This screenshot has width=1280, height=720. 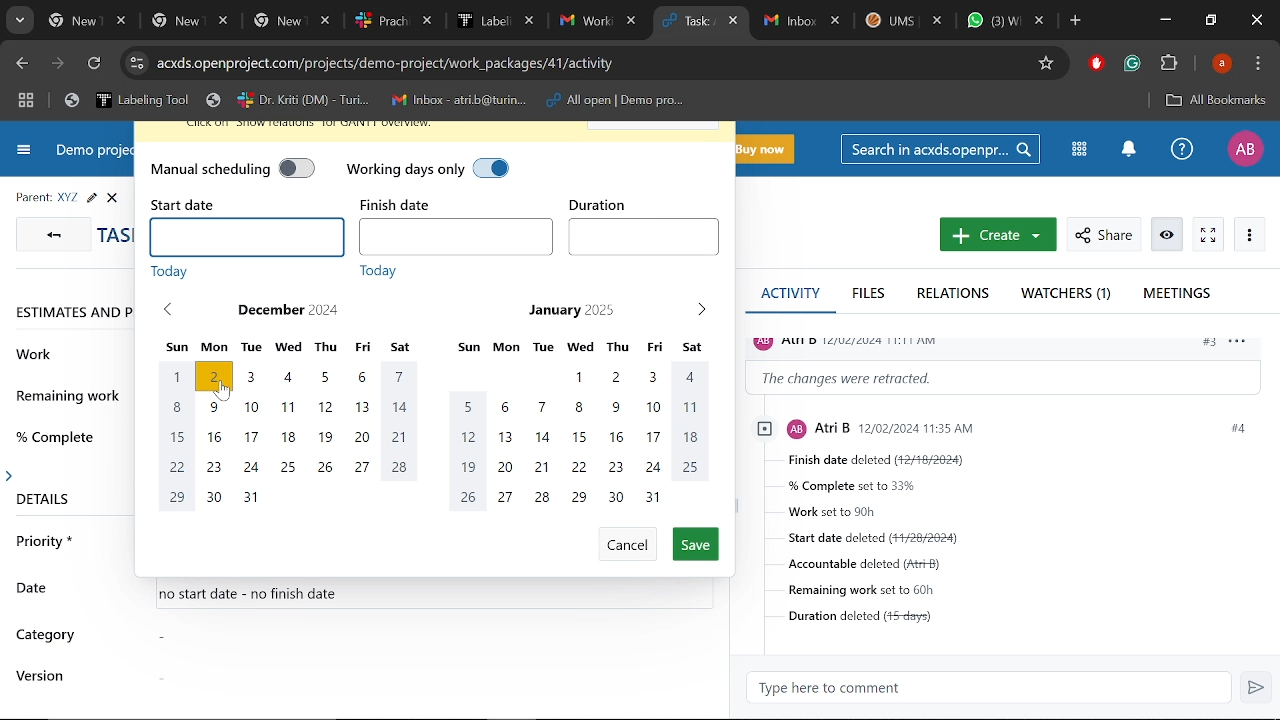 I want to click on Type here to comment, so click(x=990, y=688).